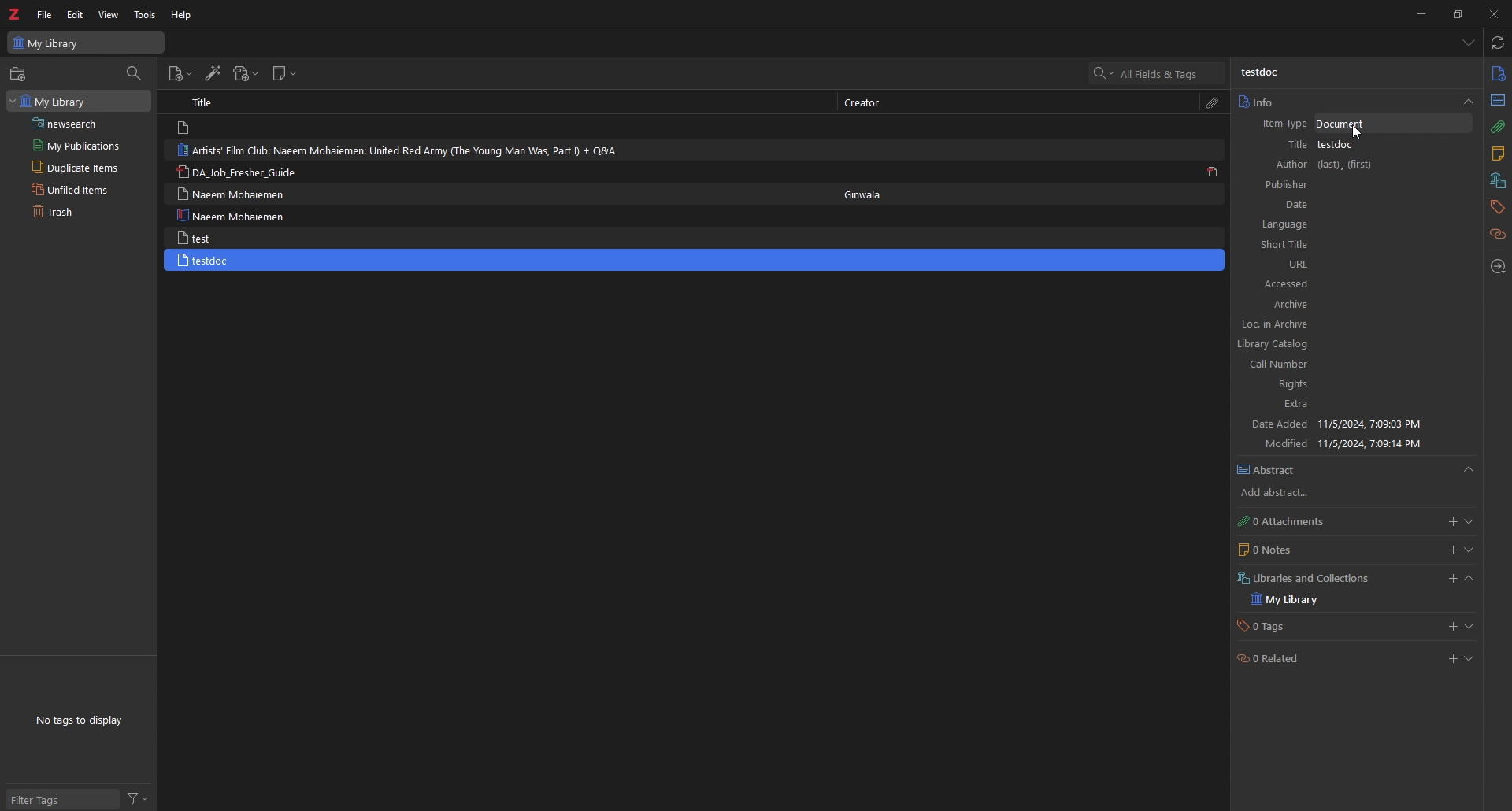 The image size is (1512, 811). Describe the element at coordinates (1350, 244) in the screenshot. I see `Short Title` at that location.